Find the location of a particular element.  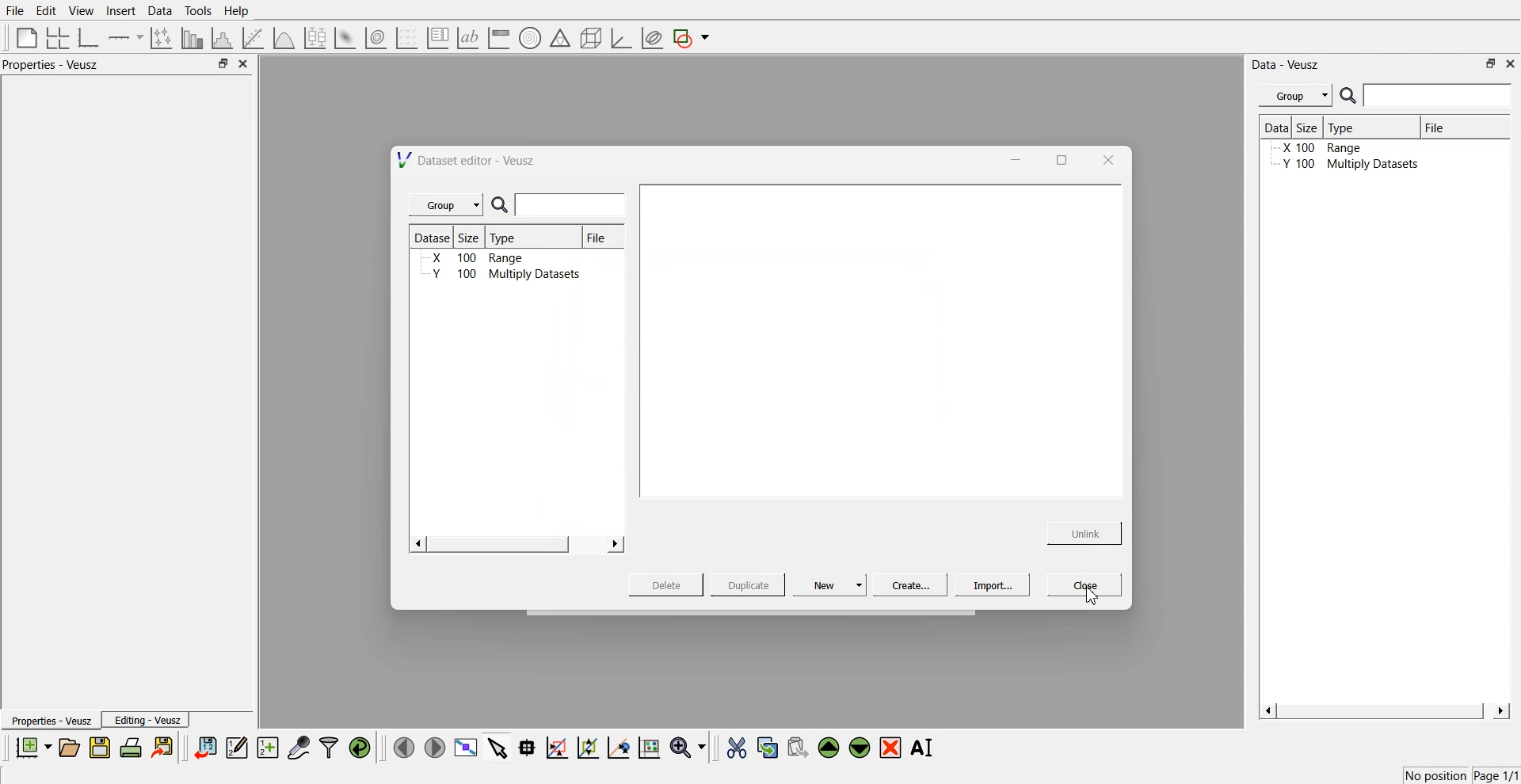

minimise or maximise is located at coordinates (223, 64).